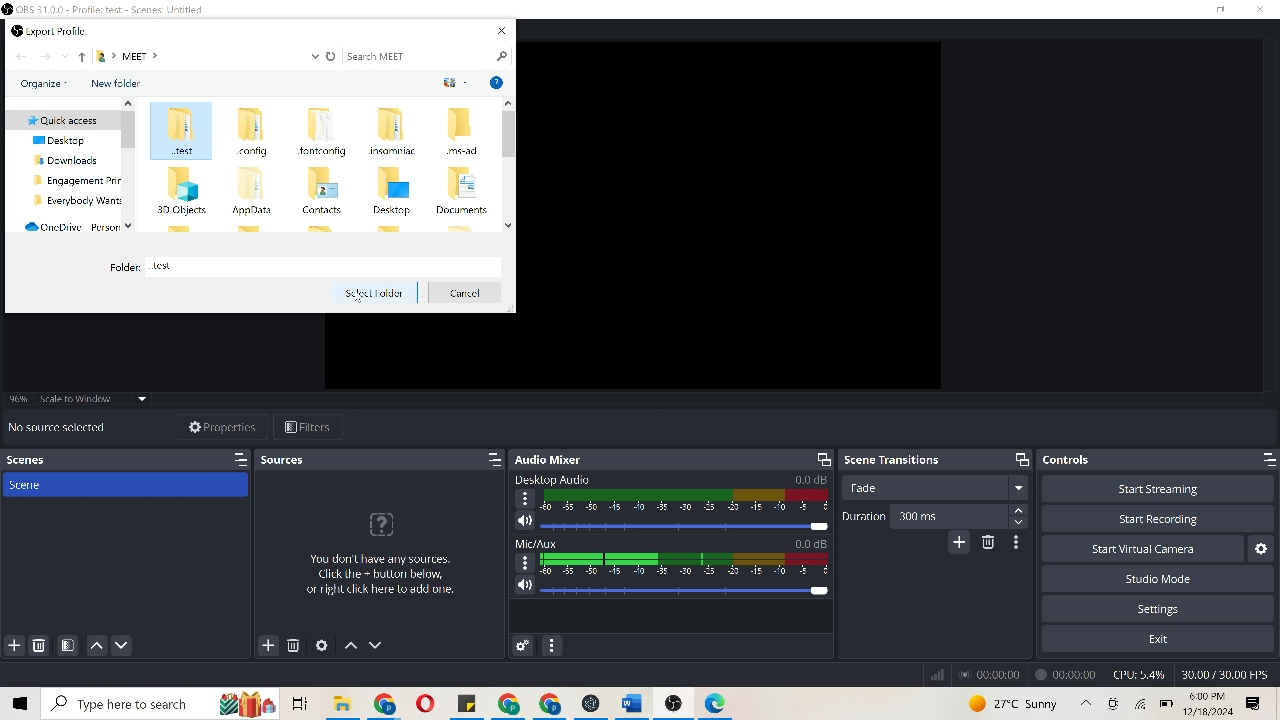  I want to click on icon size, so click(453, 82).